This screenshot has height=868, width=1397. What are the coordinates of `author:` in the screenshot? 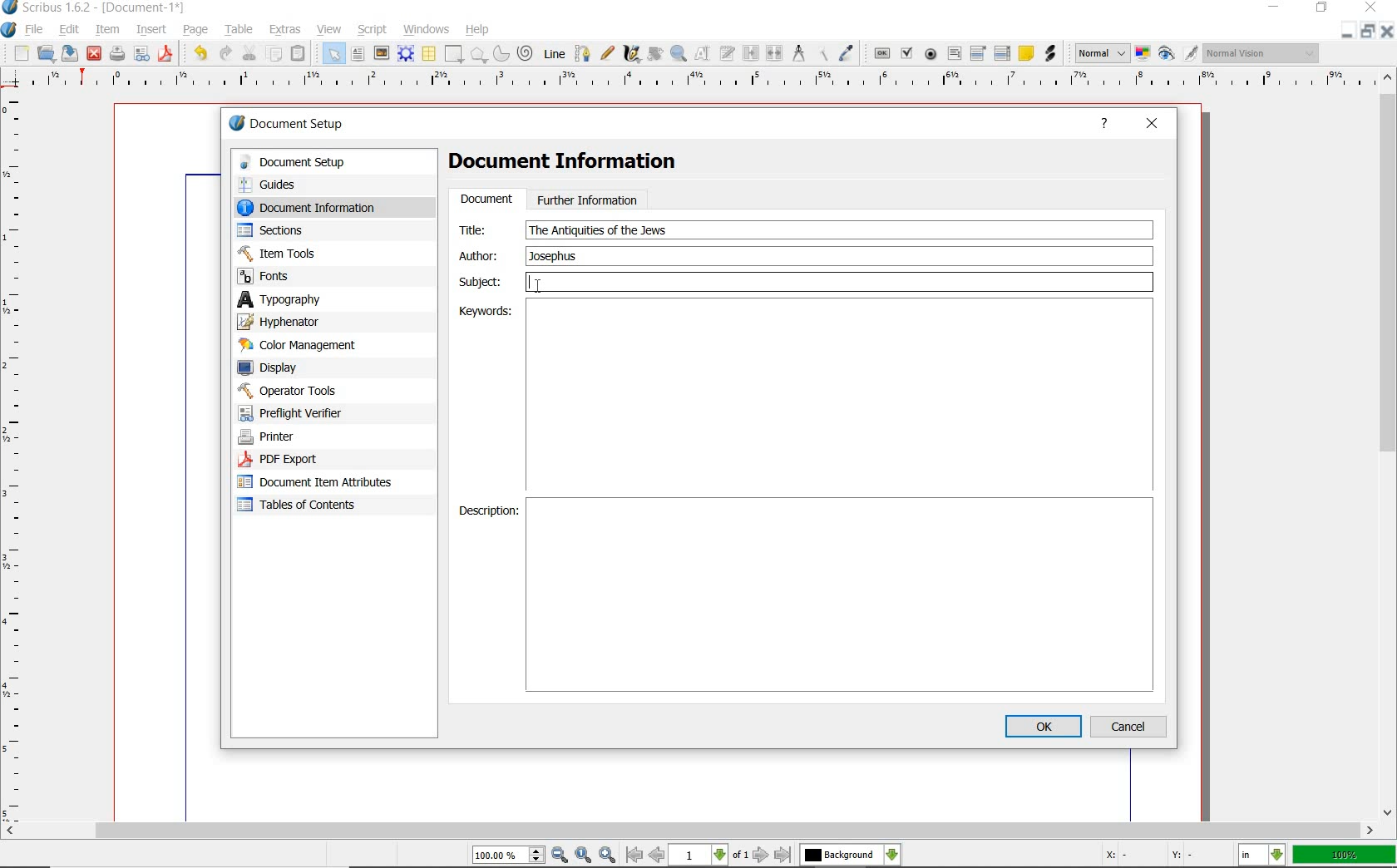 It's located at (481, 255).